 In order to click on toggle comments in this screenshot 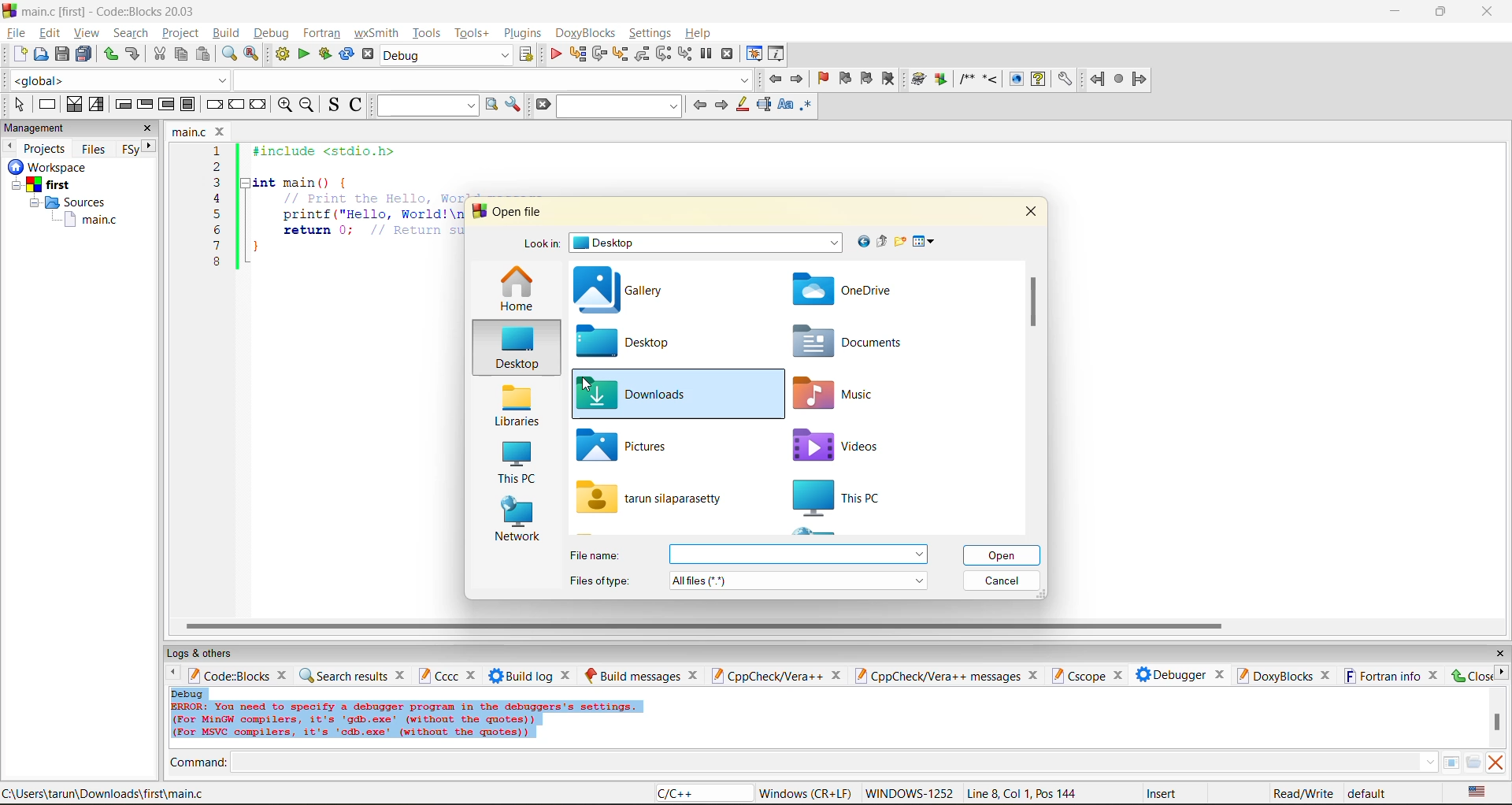, I will do `click(358, 104)`.